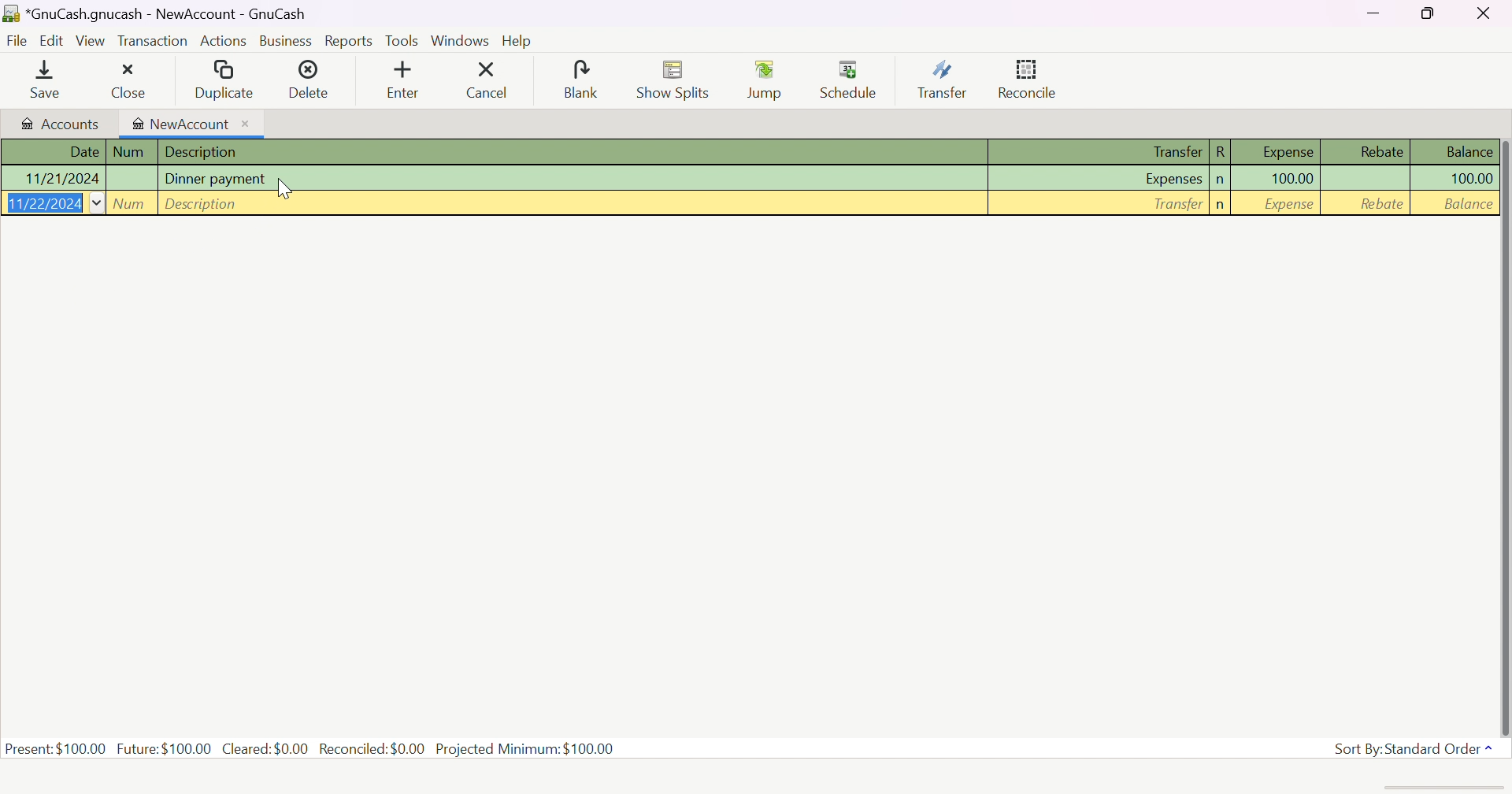 This screenshot has height=794, width=1512. Describe the element at coordinates (374, 748) in the screenshot. I see `Reconciled: $0.00` at that location.